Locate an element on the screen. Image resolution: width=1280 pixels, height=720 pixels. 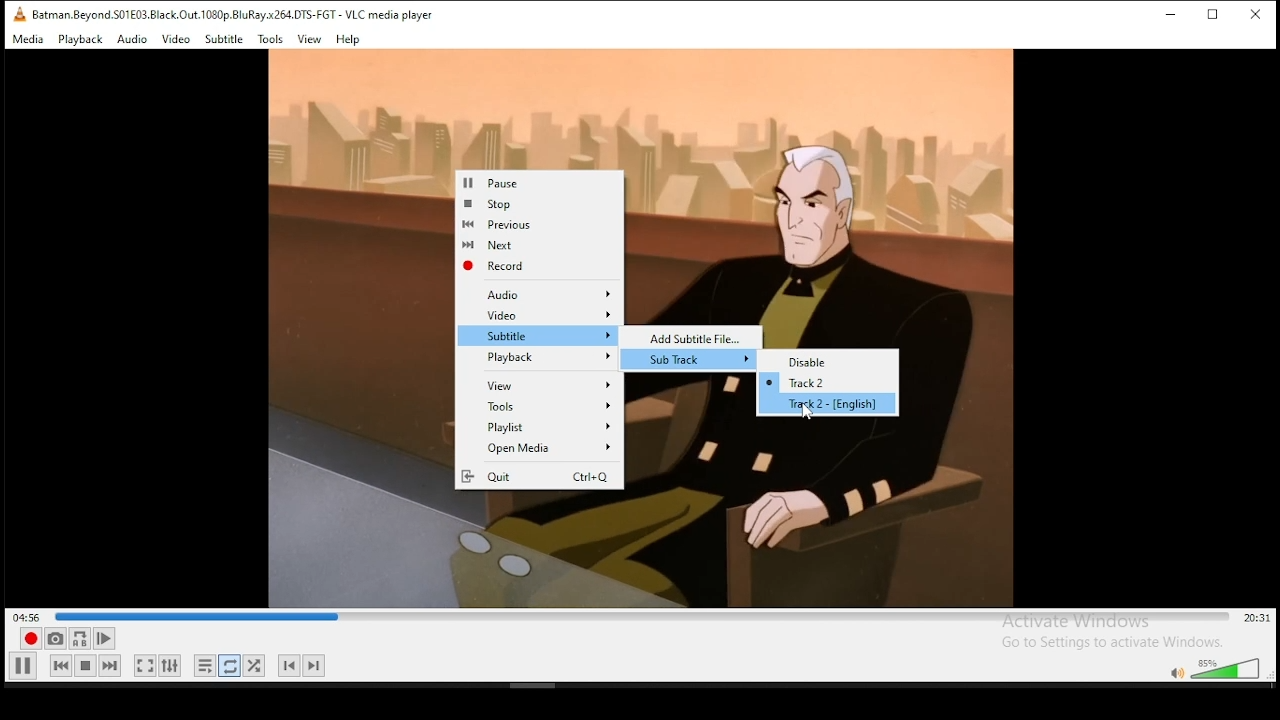
Help is located at coordinates (349, 41).